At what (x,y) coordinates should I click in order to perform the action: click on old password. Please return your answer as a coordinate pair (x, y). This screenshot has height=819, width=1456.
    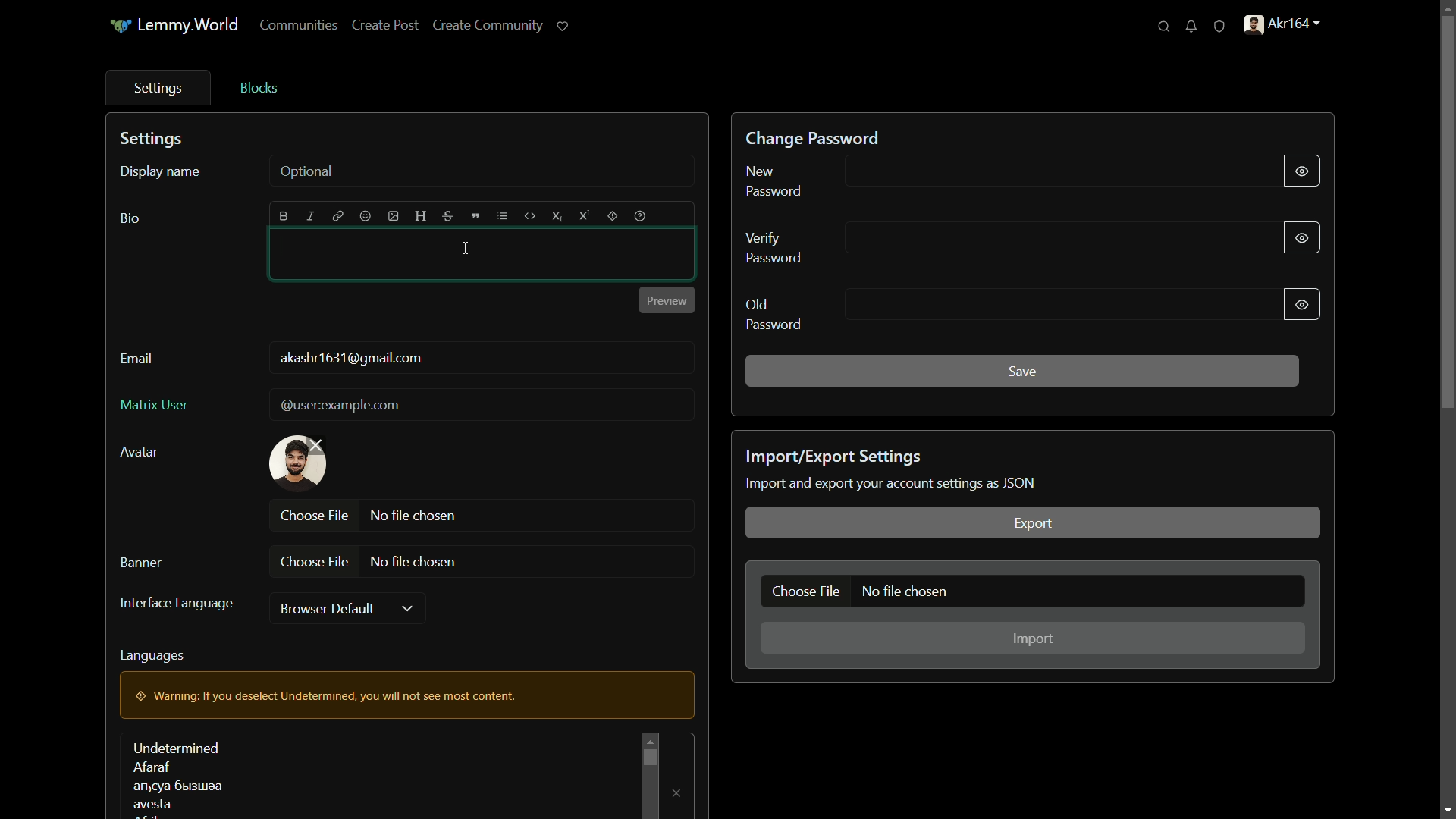
    Looking at the image, I should click on (773, 315).